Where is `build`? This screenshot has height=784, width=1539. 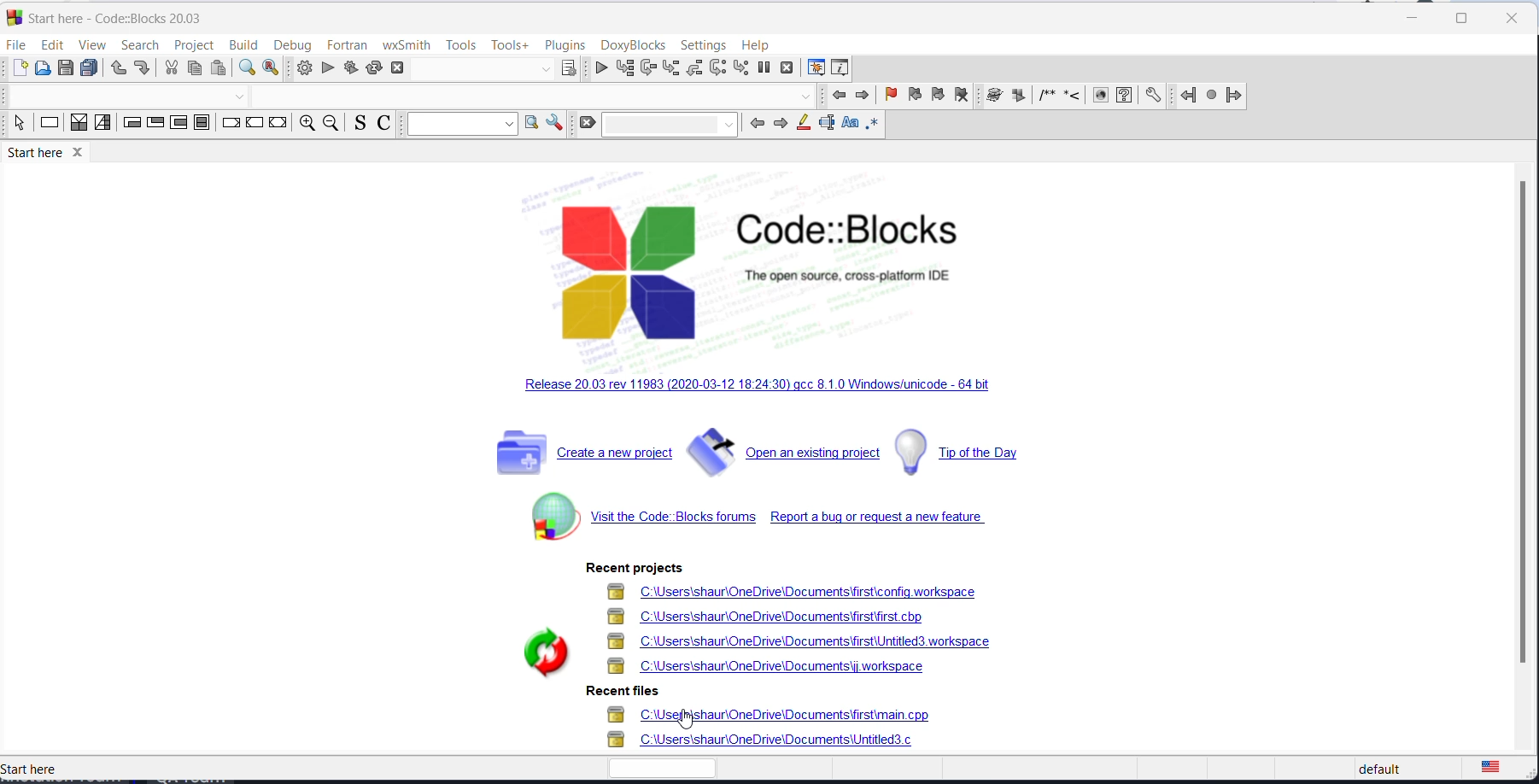 build is located at coordinates (241, 45).